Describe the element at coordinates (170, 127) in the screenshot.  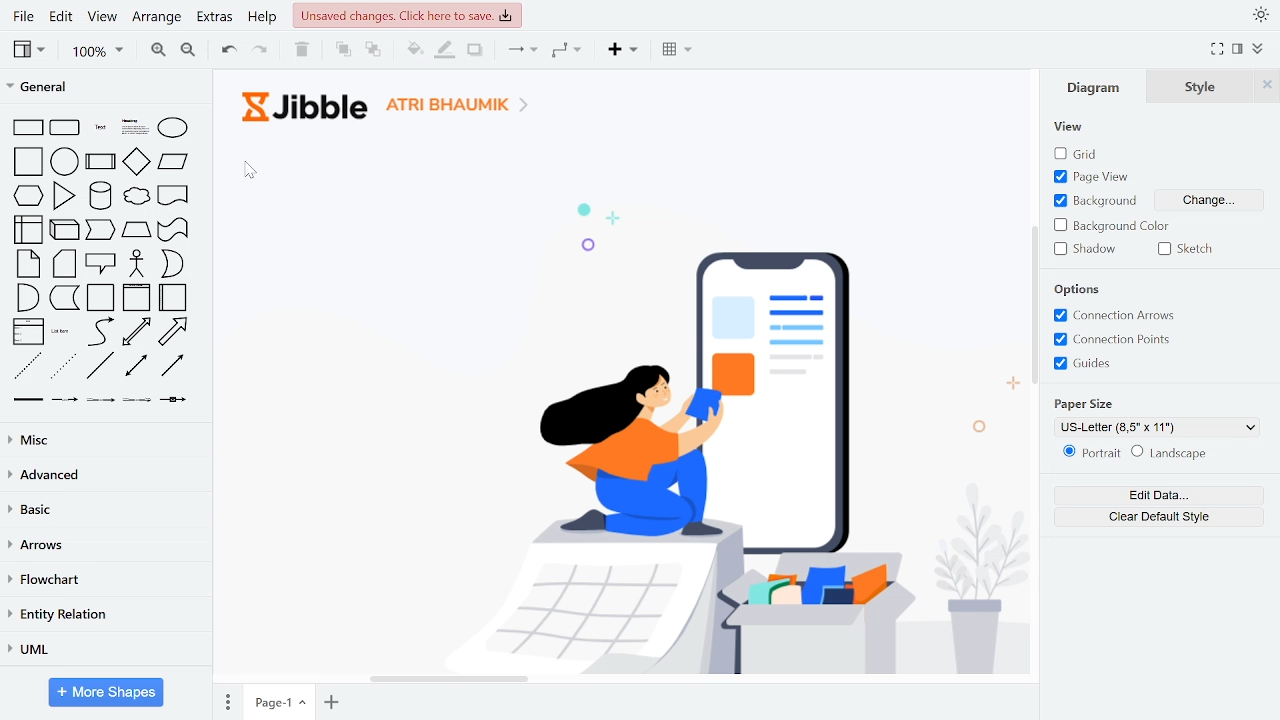
I see `general shapes` at that location.